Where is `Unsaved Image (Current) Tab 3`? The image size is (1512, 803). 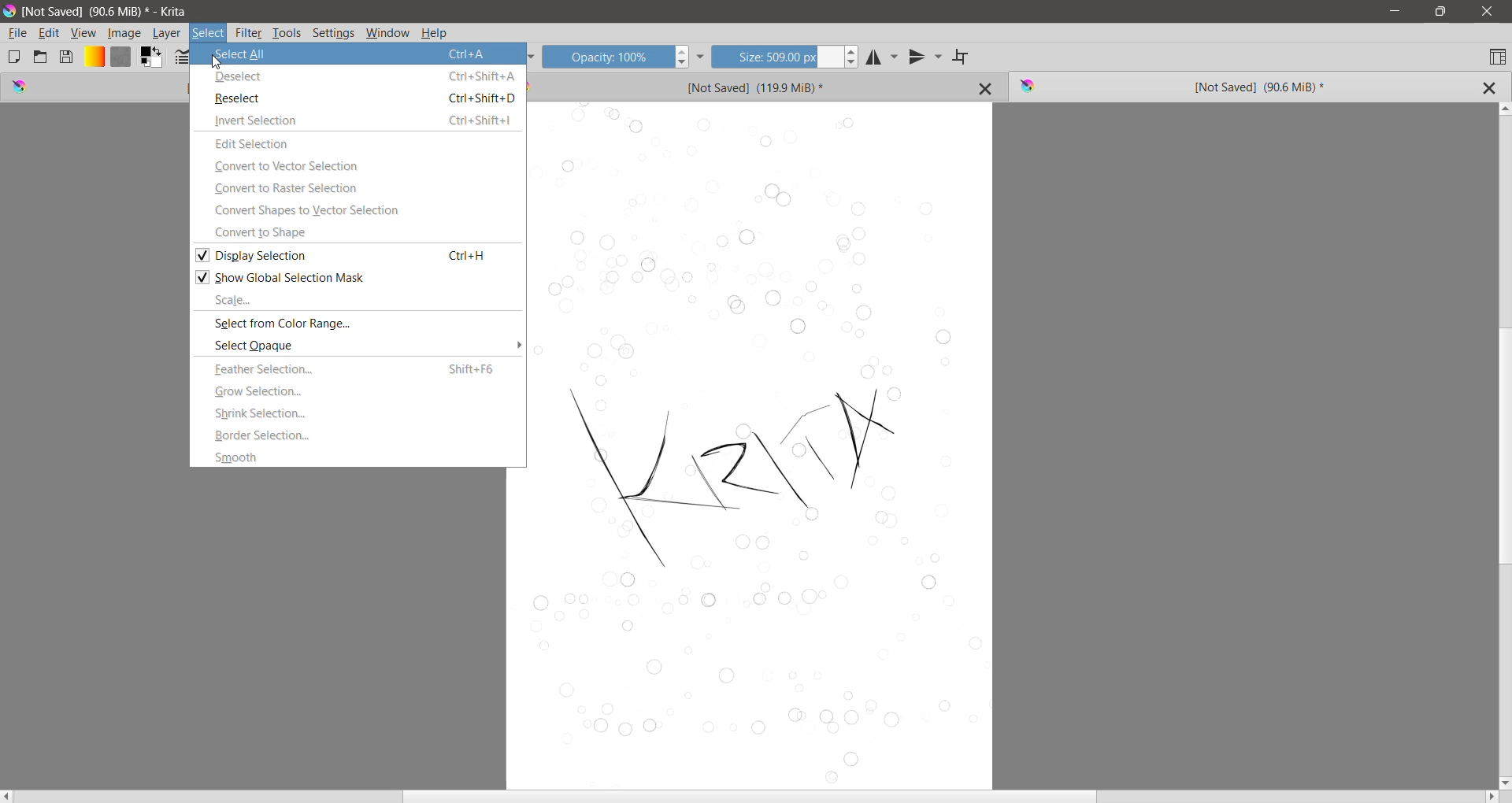 Unsaved Image (Current) Tab 3 is located at coordinates (1221, 87).